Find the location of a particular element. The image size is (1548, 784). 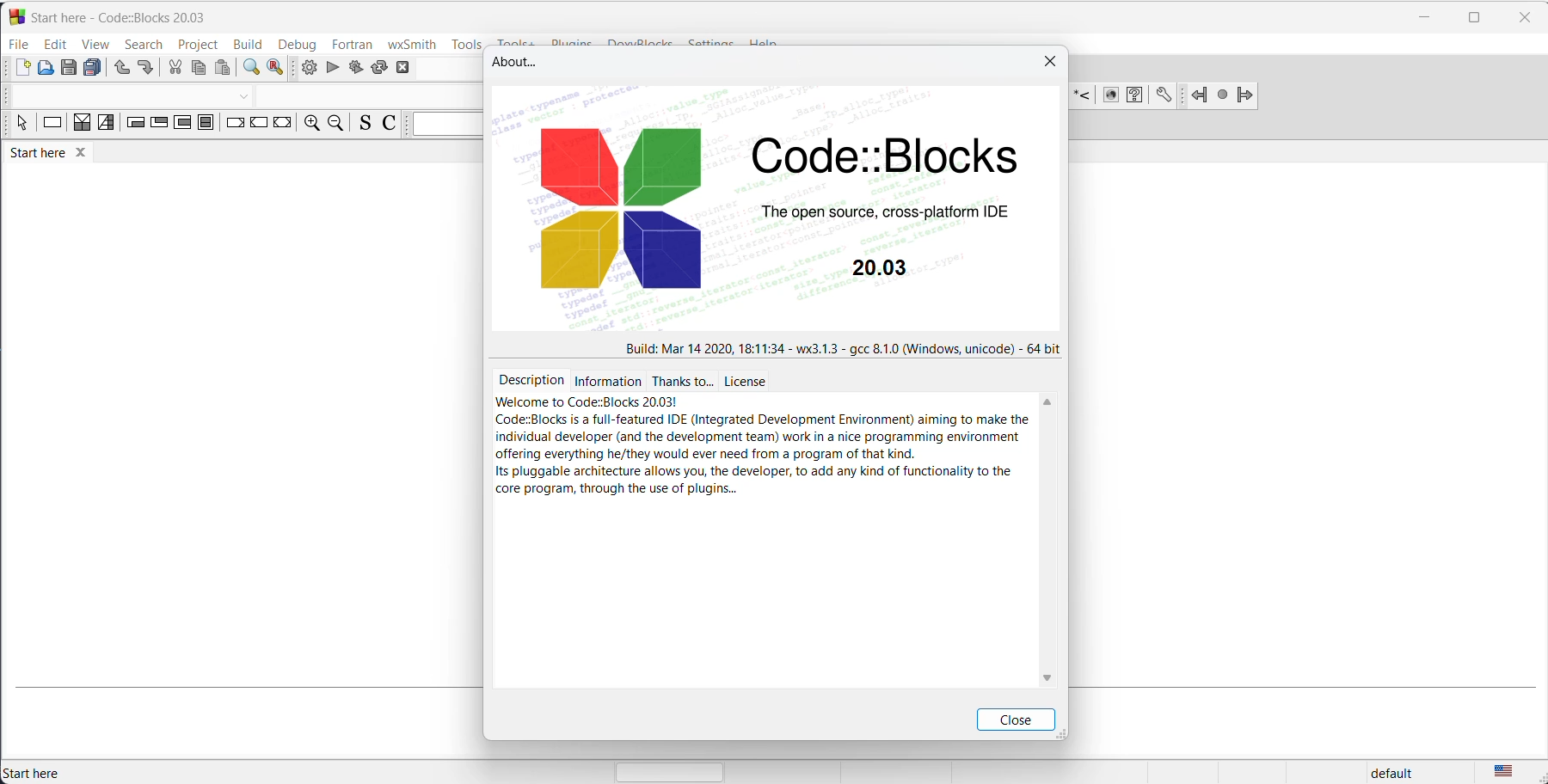

zoom in is located at coordinates (312, 124).